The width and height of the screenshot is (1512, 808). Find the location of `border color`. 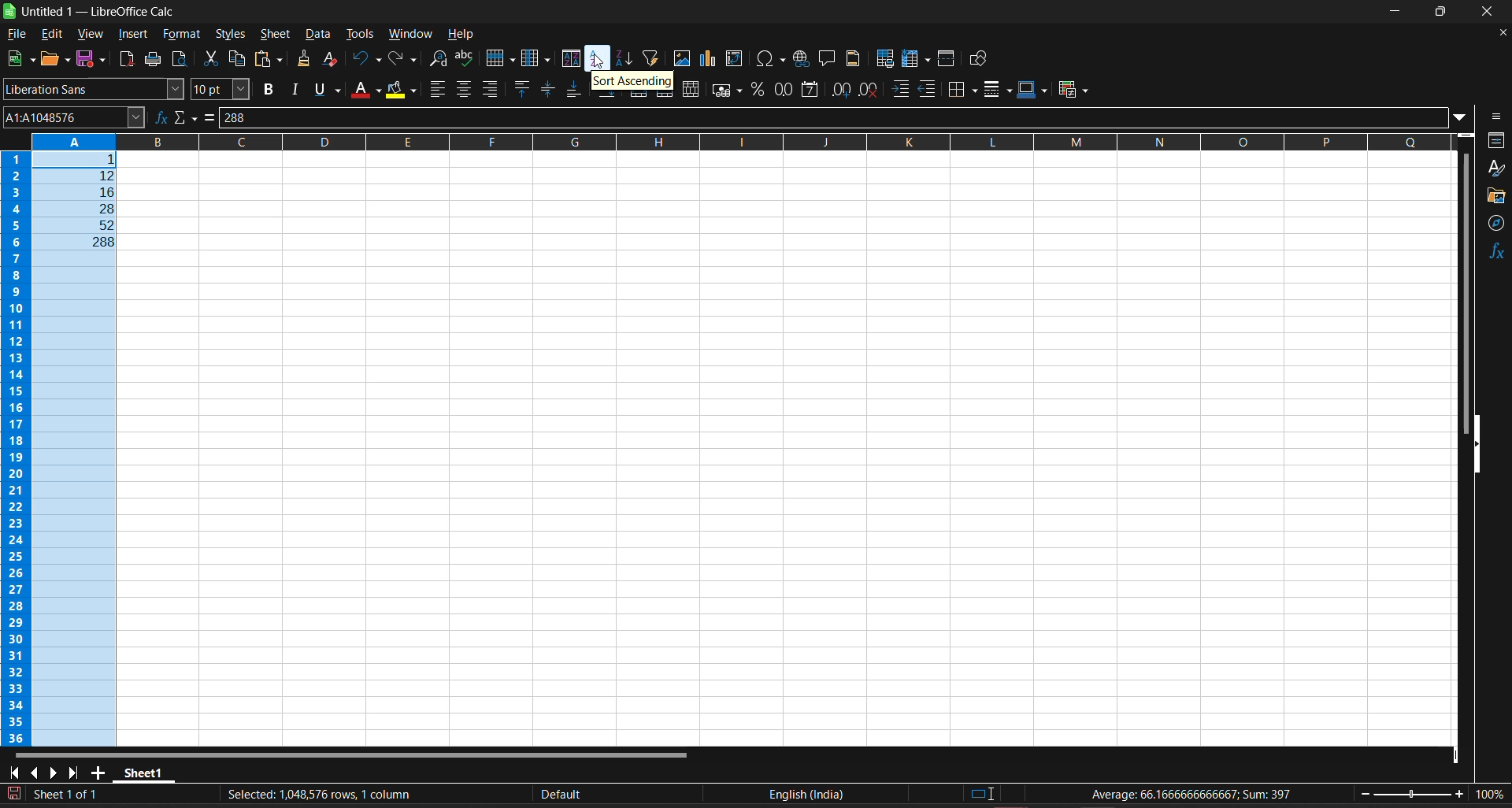

border color is located at coordinates (1034, 89).